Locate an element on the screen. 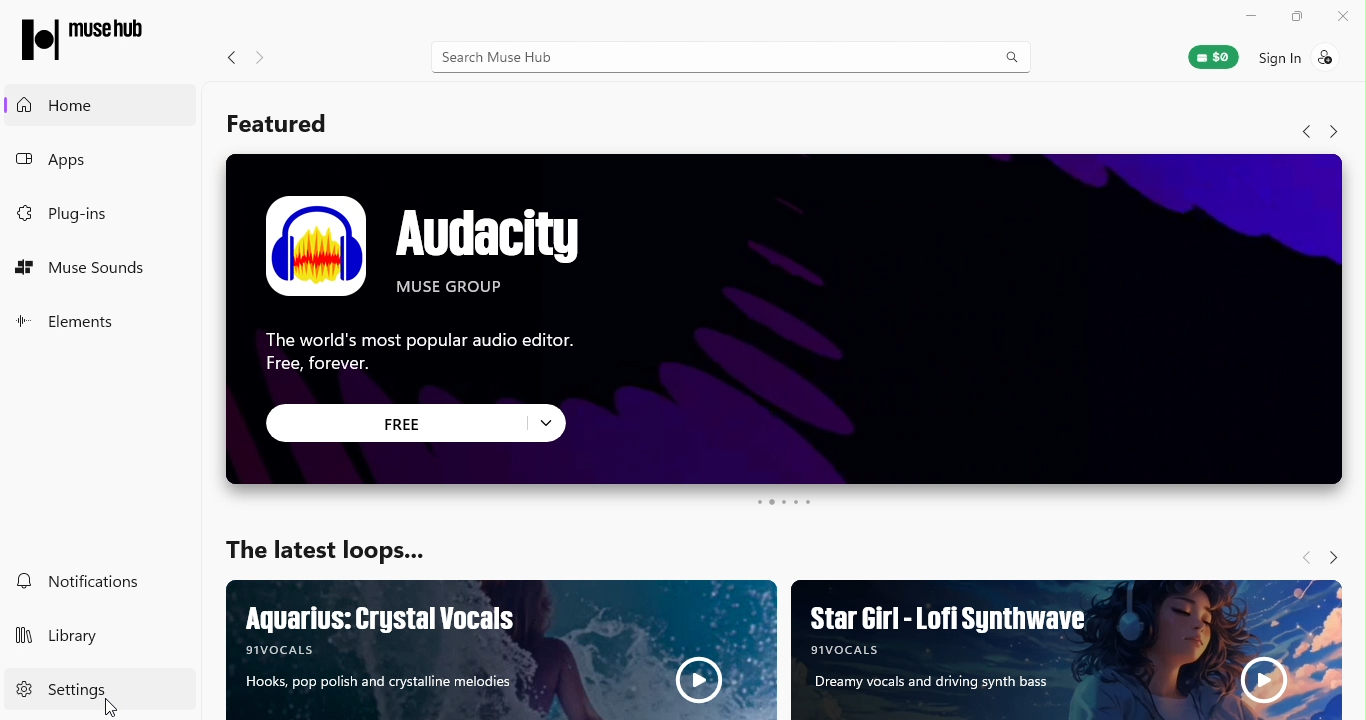 This screenshot has height=720, width=1366. Notifications is located at coordinates (82, 578).